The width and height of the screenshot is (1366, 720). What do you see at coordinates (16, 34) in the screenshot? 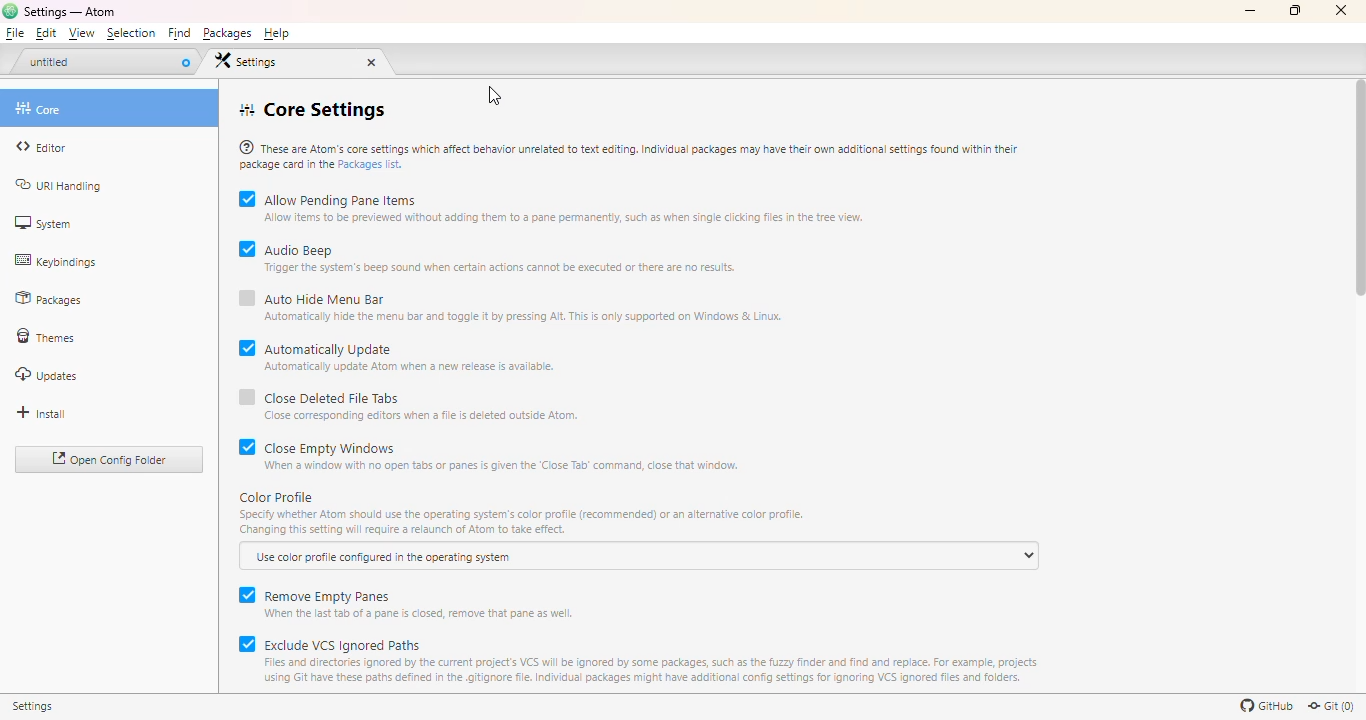
I see `file` at bounding box center [16, 34].